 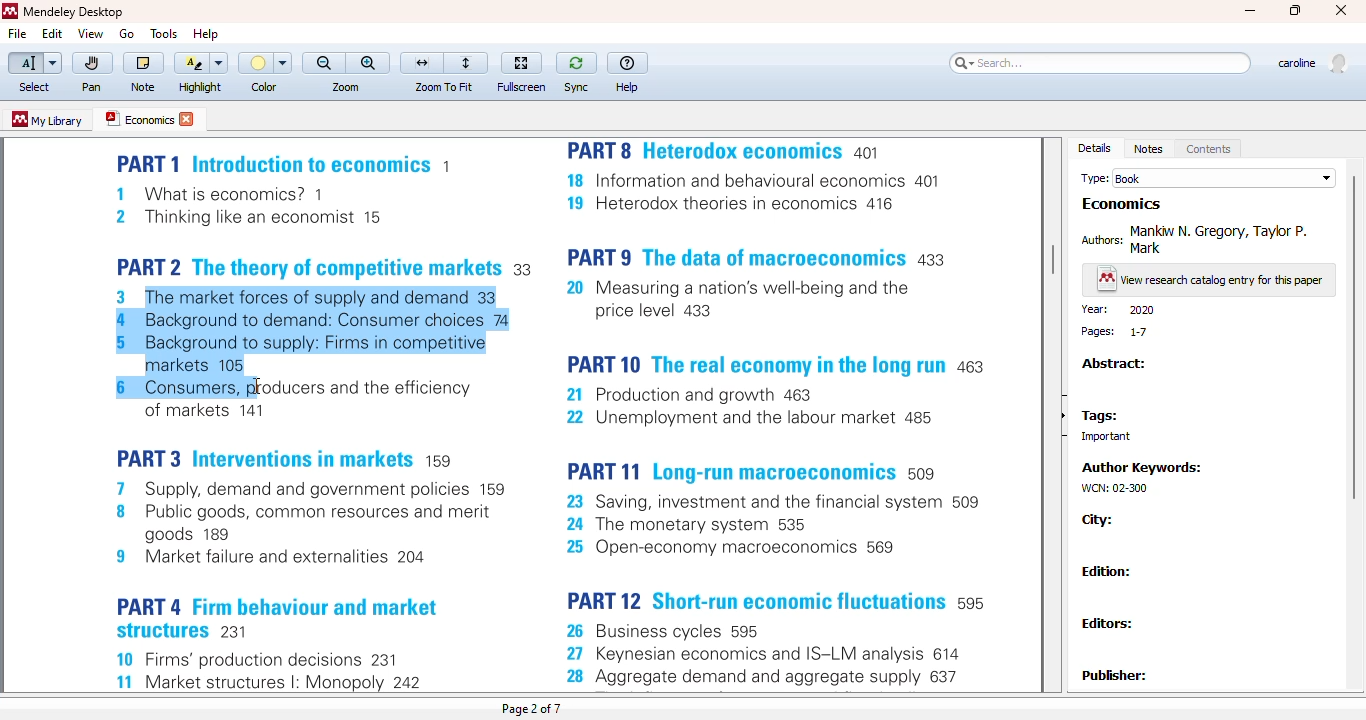 I want to click on help, so click(x=627, y=63).